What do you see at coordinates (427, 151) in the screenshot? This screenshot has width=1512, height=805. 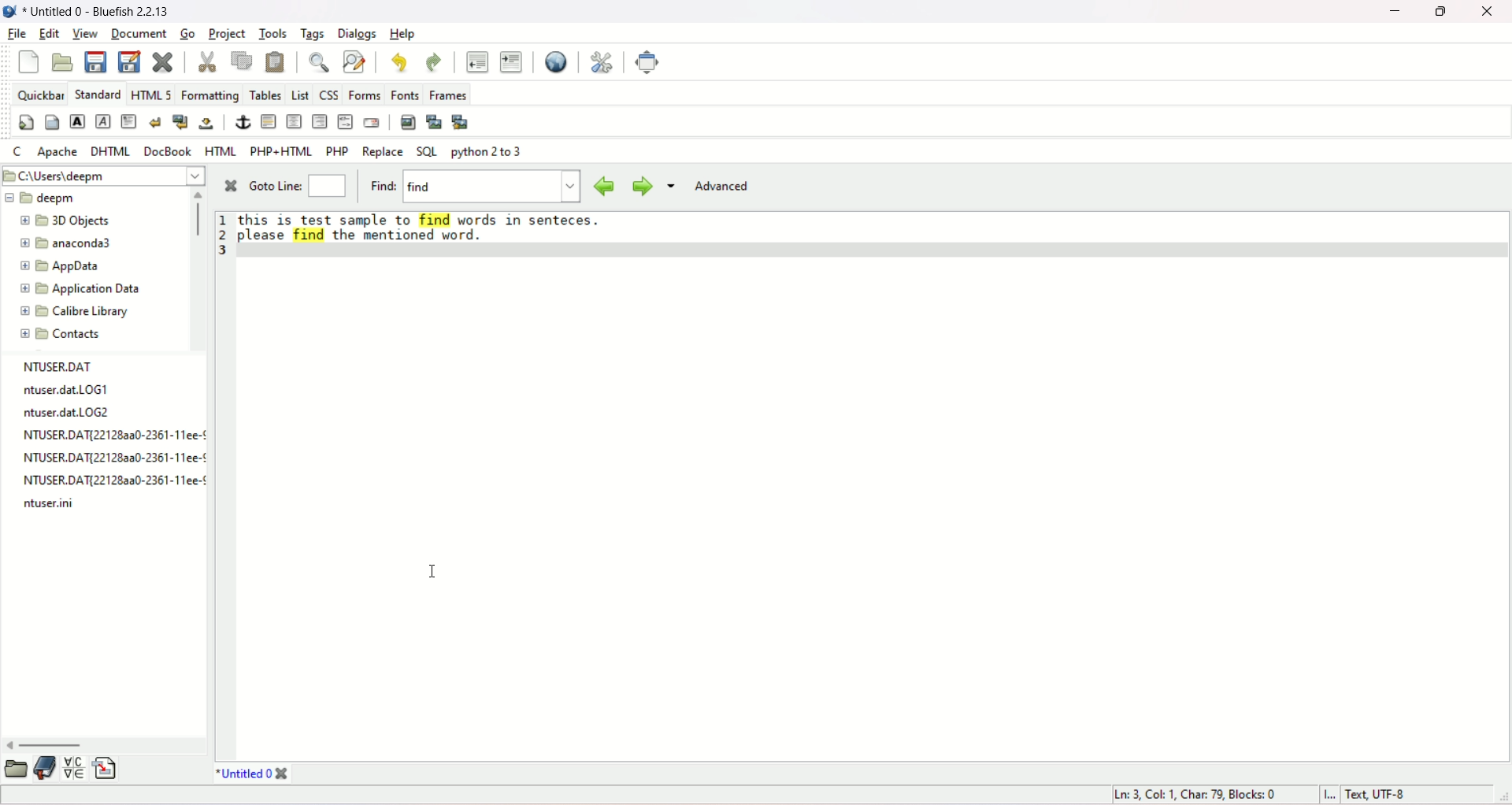 I see `SQL` at bounding box center [427, 151].